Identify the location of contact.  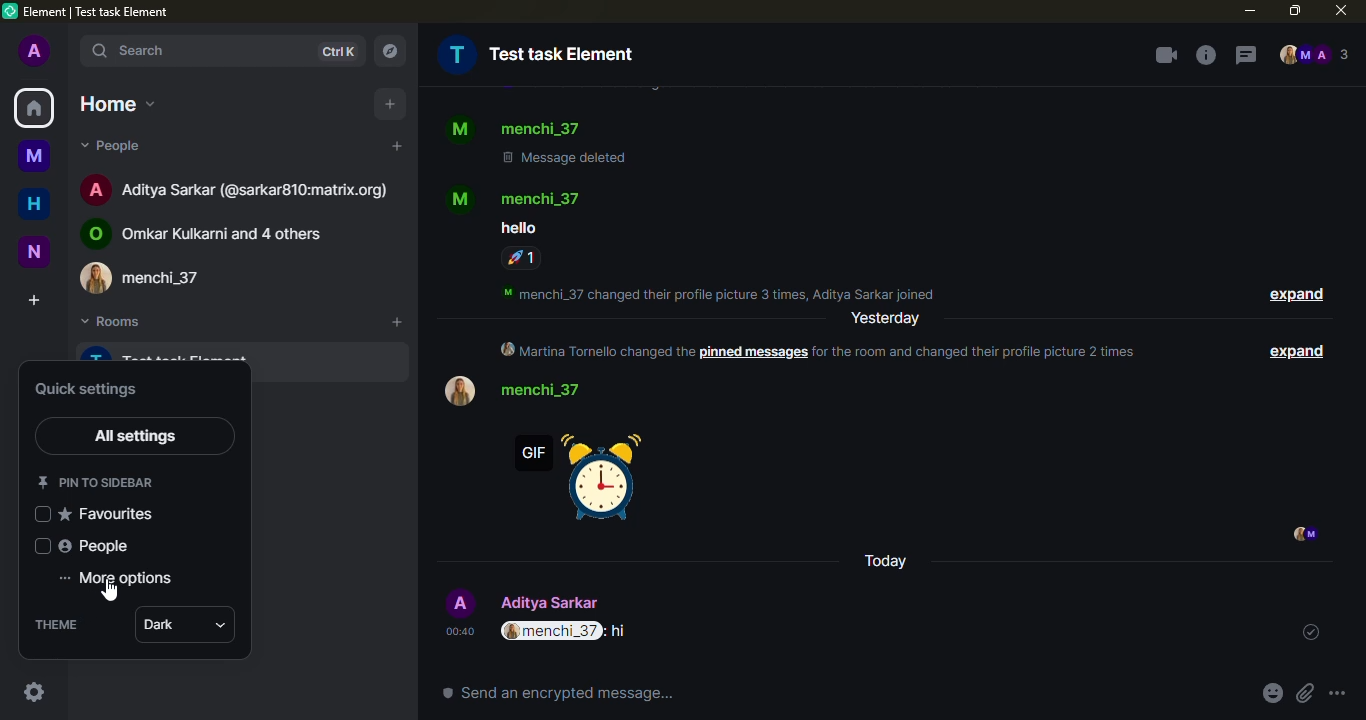
(542, 129).